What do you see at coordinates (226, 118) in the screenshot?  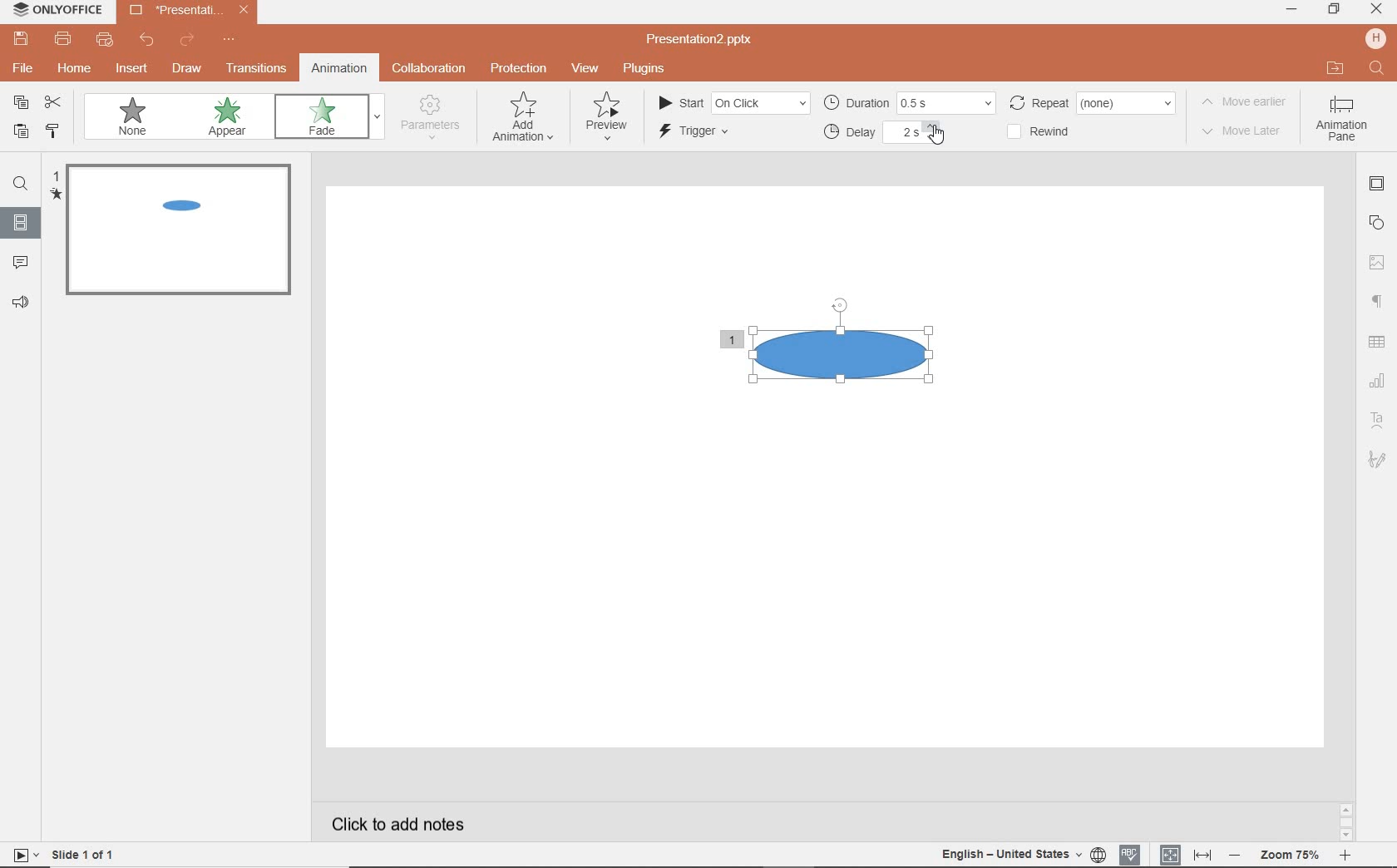 I see `appear` at bounding box center [226, 118].